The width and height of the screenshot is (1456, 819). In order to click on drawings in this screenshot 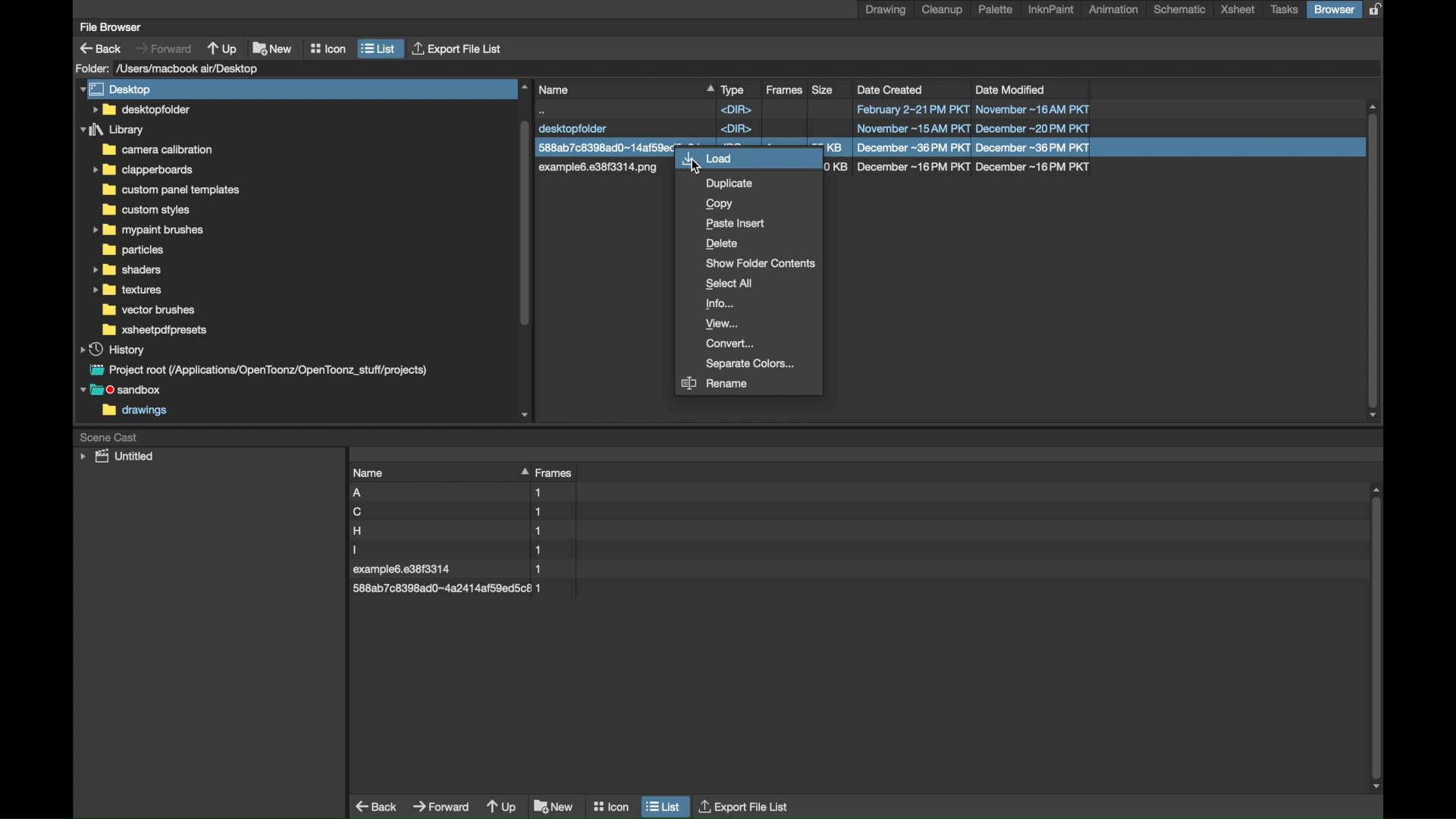, I will do `click(135, 412)`.